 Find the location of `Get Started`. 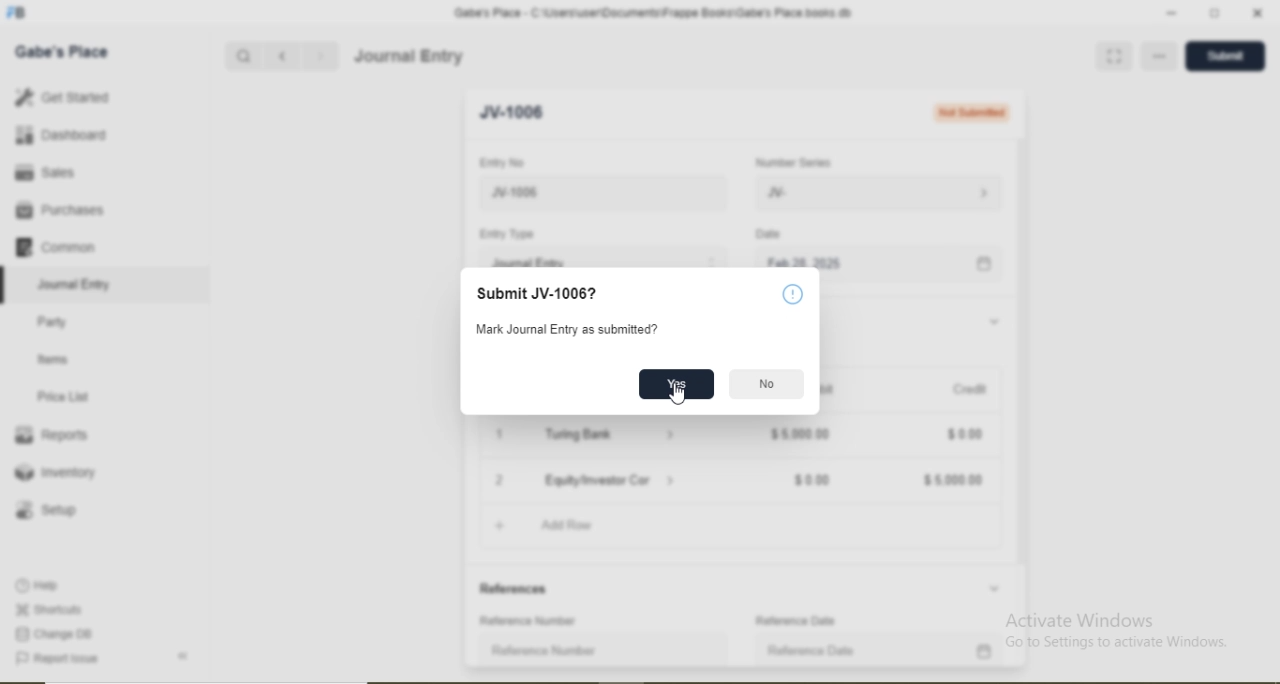

Get Started is located at coordinates (61, 96).